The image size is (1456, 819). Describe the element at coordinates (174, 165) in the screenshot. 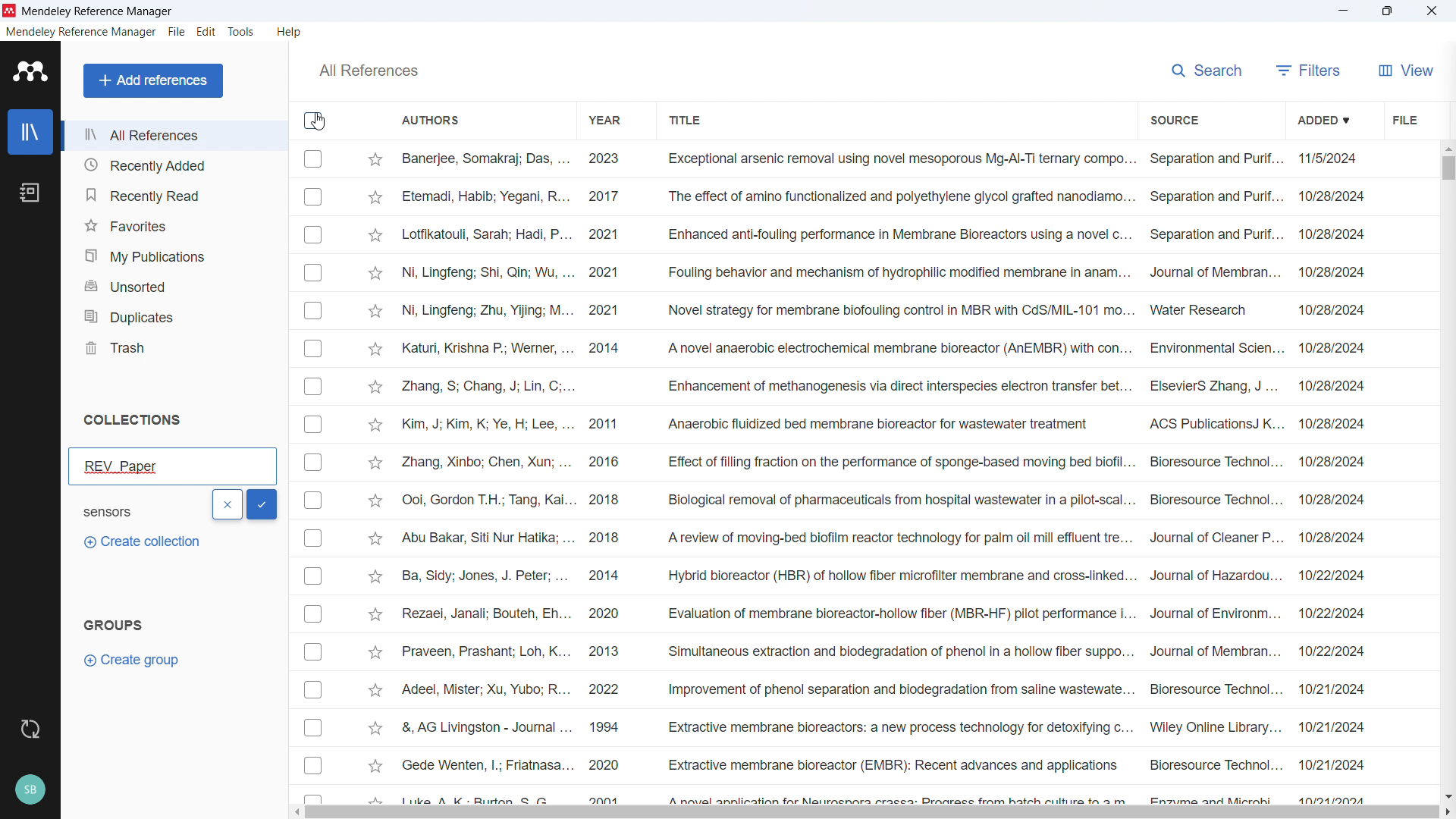

I see `Recently added ` at that location.